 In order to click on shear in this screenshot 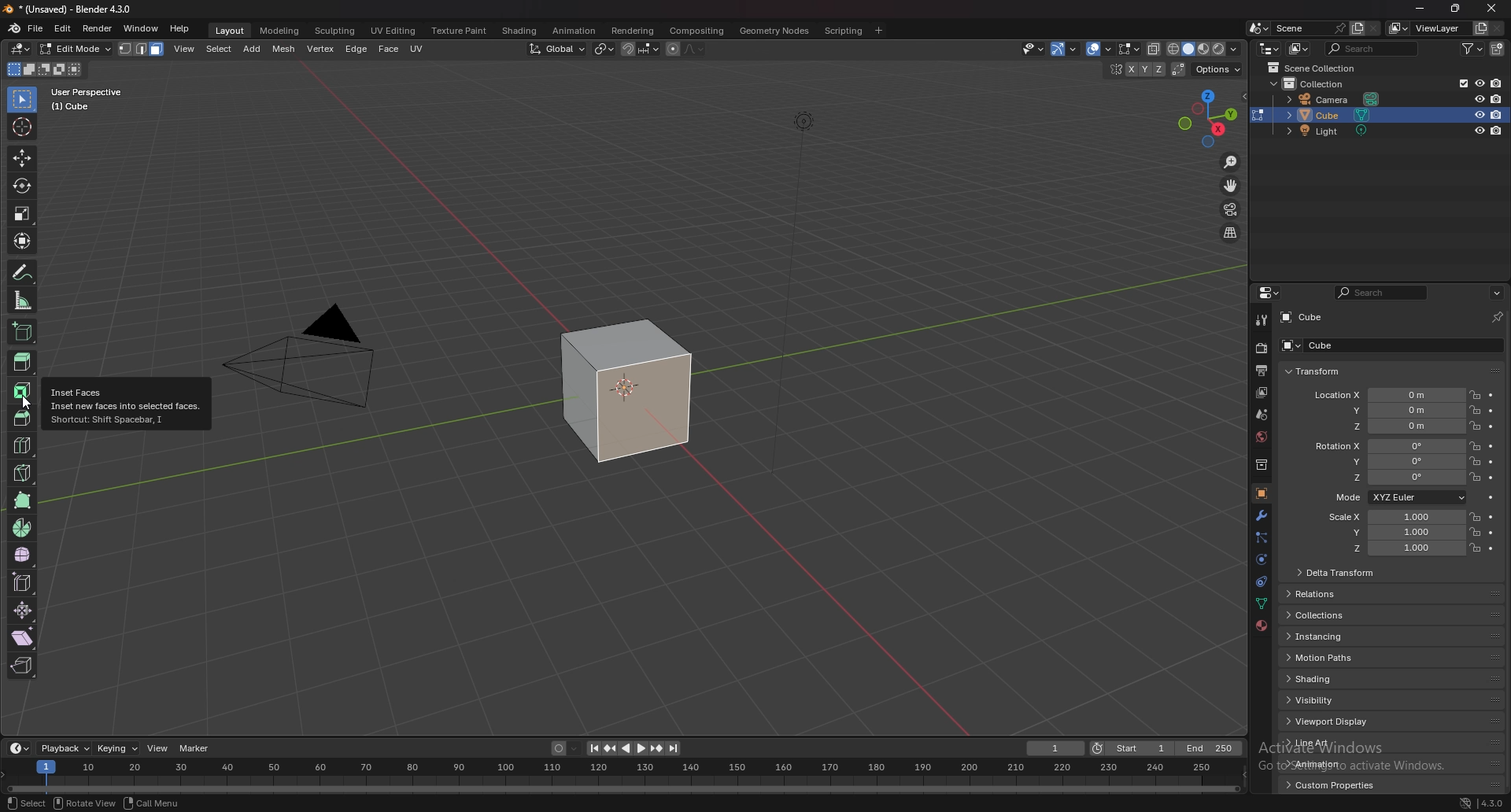, I will do `click(23, 637)`.